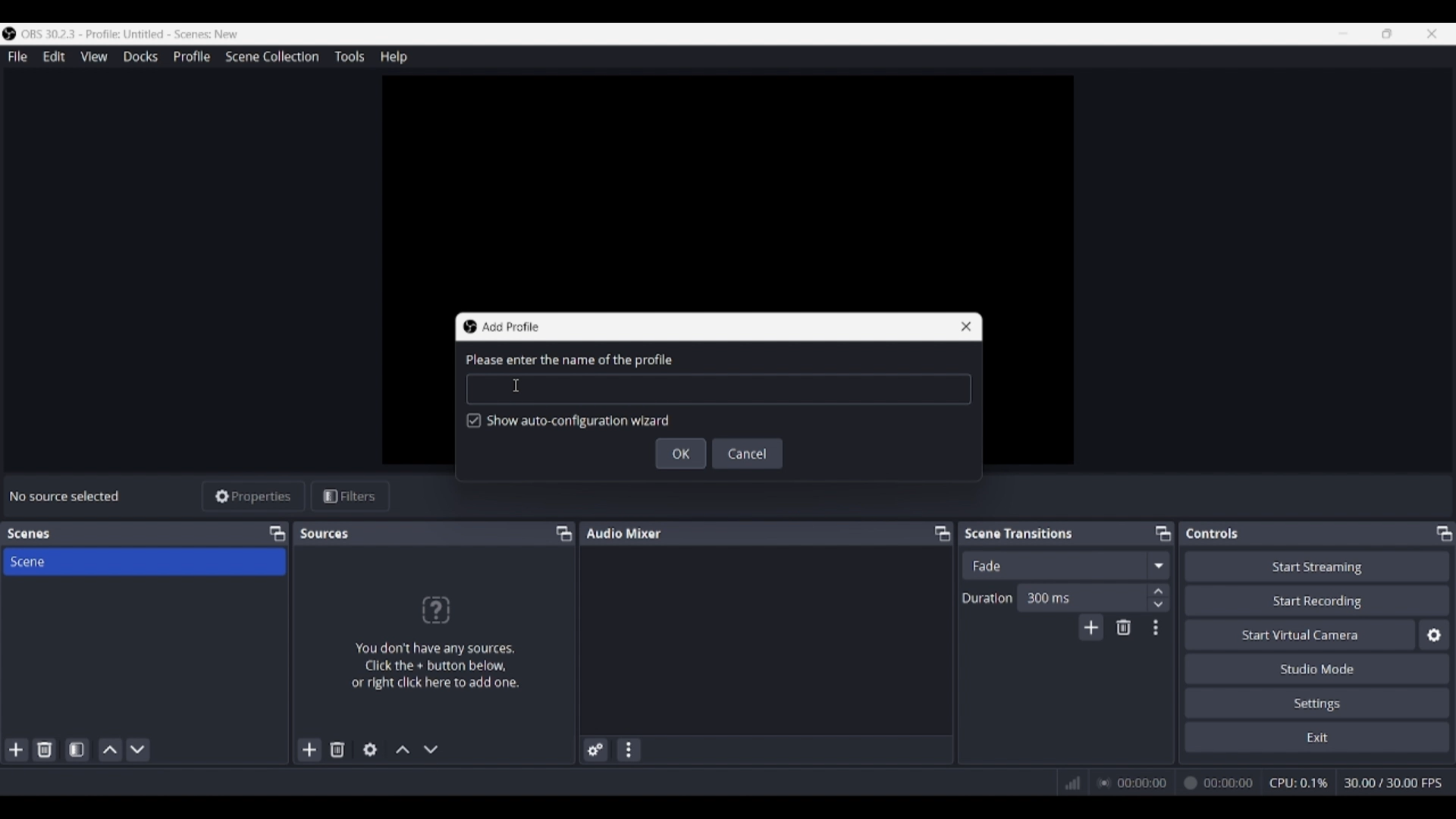  I want to click on Move scene up, so click(111, 750).